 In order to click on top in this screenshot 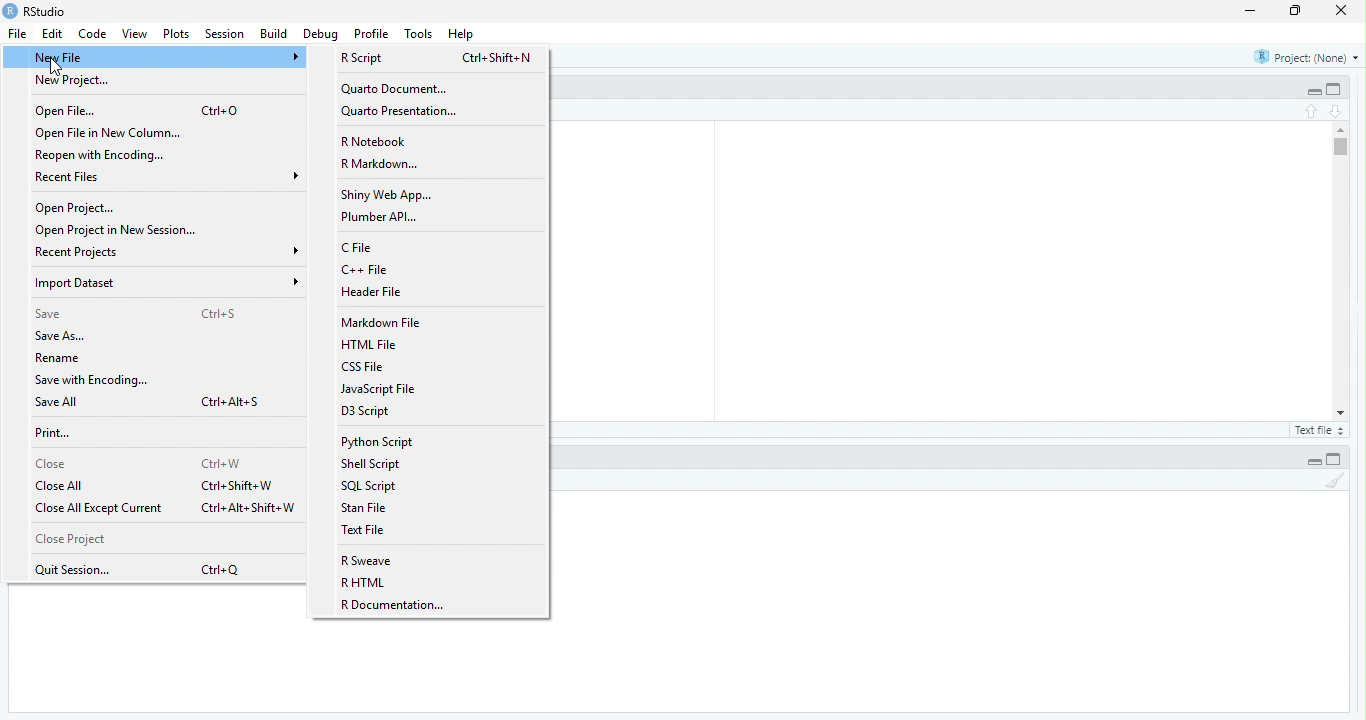, I will do `click(1313, 111)`.